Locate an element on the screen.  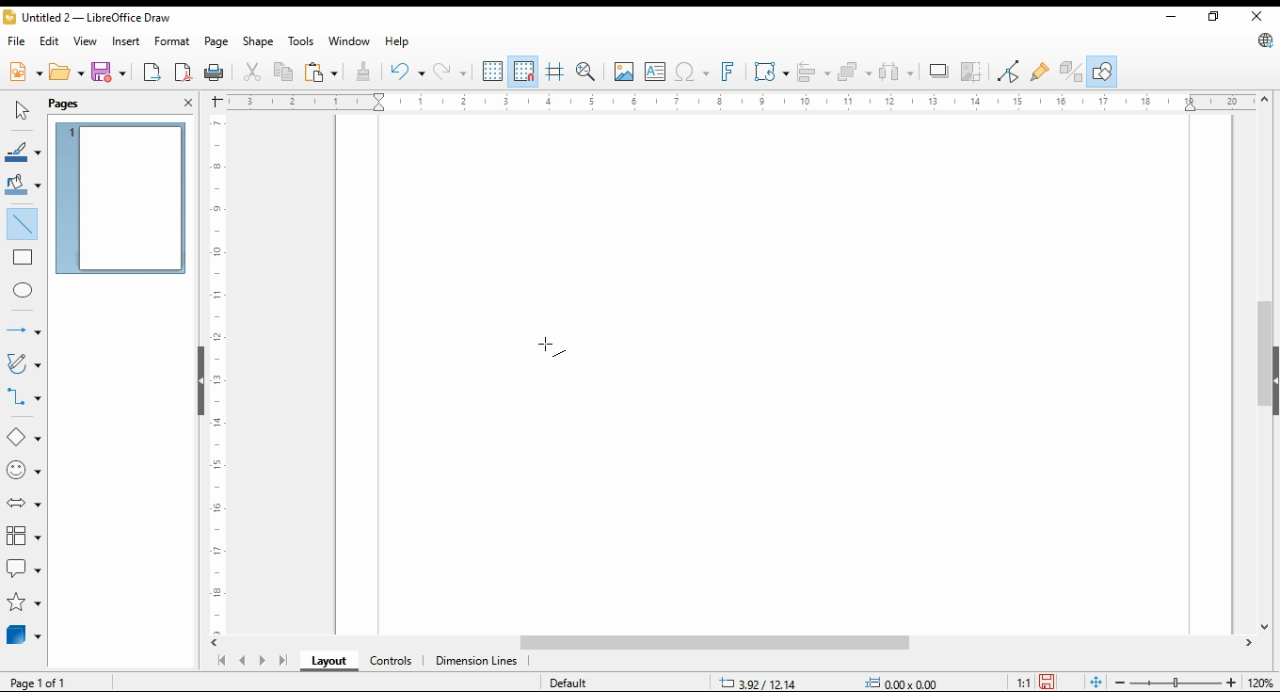
vertical scale is located at coordinates (215, 374).